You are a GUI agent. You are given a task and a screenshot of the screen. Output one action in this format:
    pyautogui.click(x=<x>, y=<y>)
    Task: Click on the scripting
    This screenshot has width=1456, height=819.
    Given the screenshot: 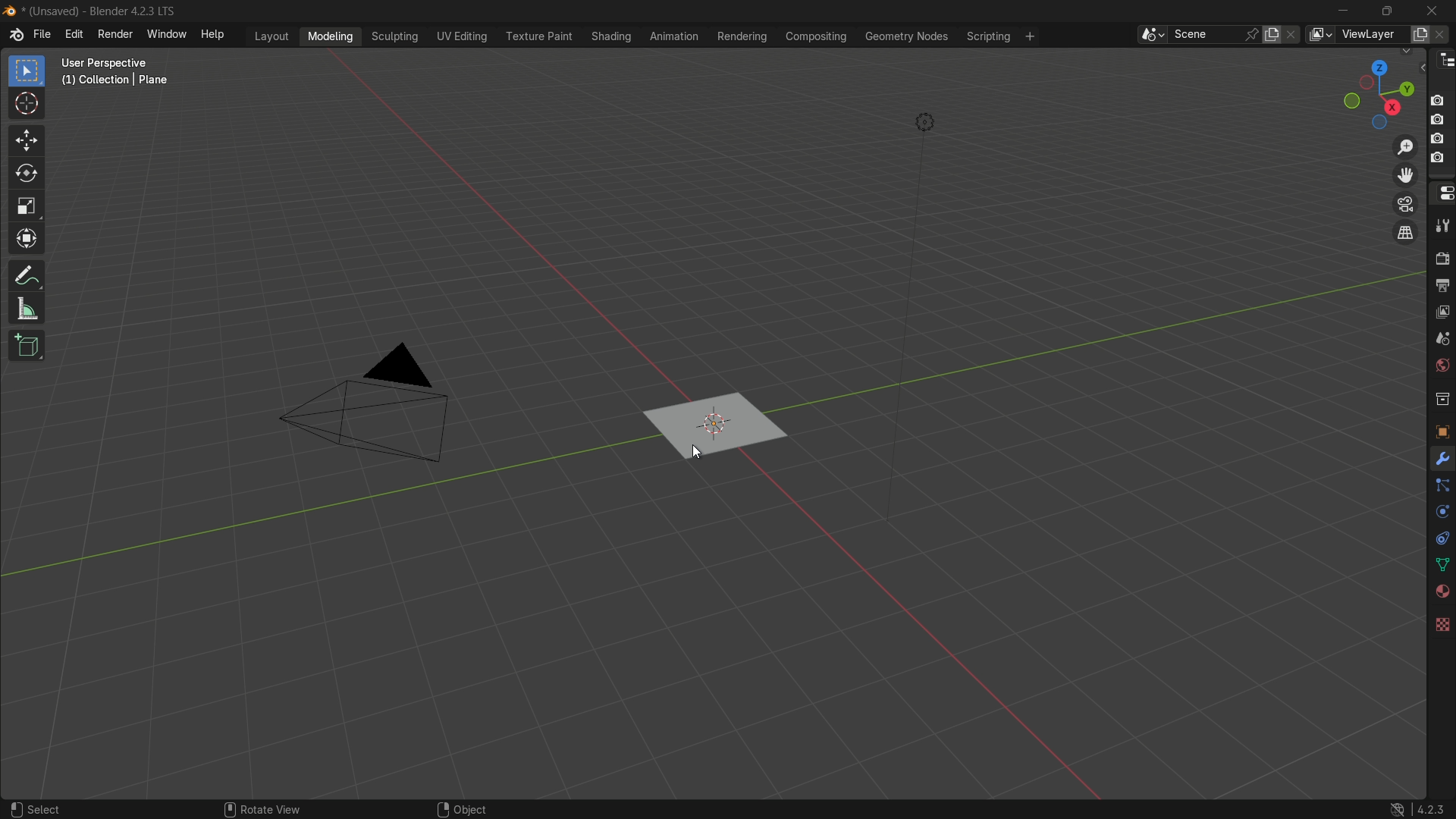 What is the action you would take?
    pyautogui.click(x=986, y=37)
    